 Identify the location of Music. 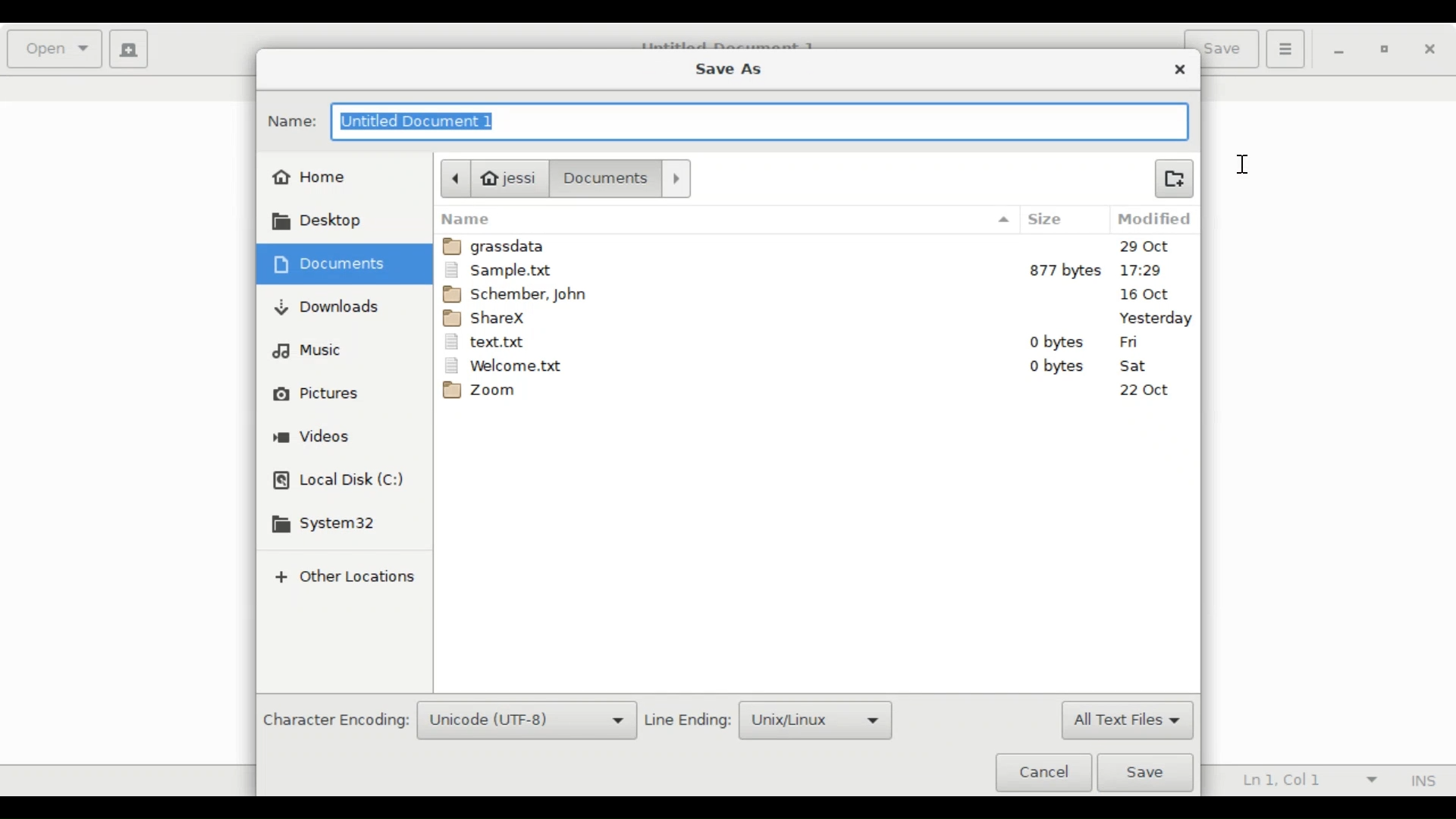
(308, 350).